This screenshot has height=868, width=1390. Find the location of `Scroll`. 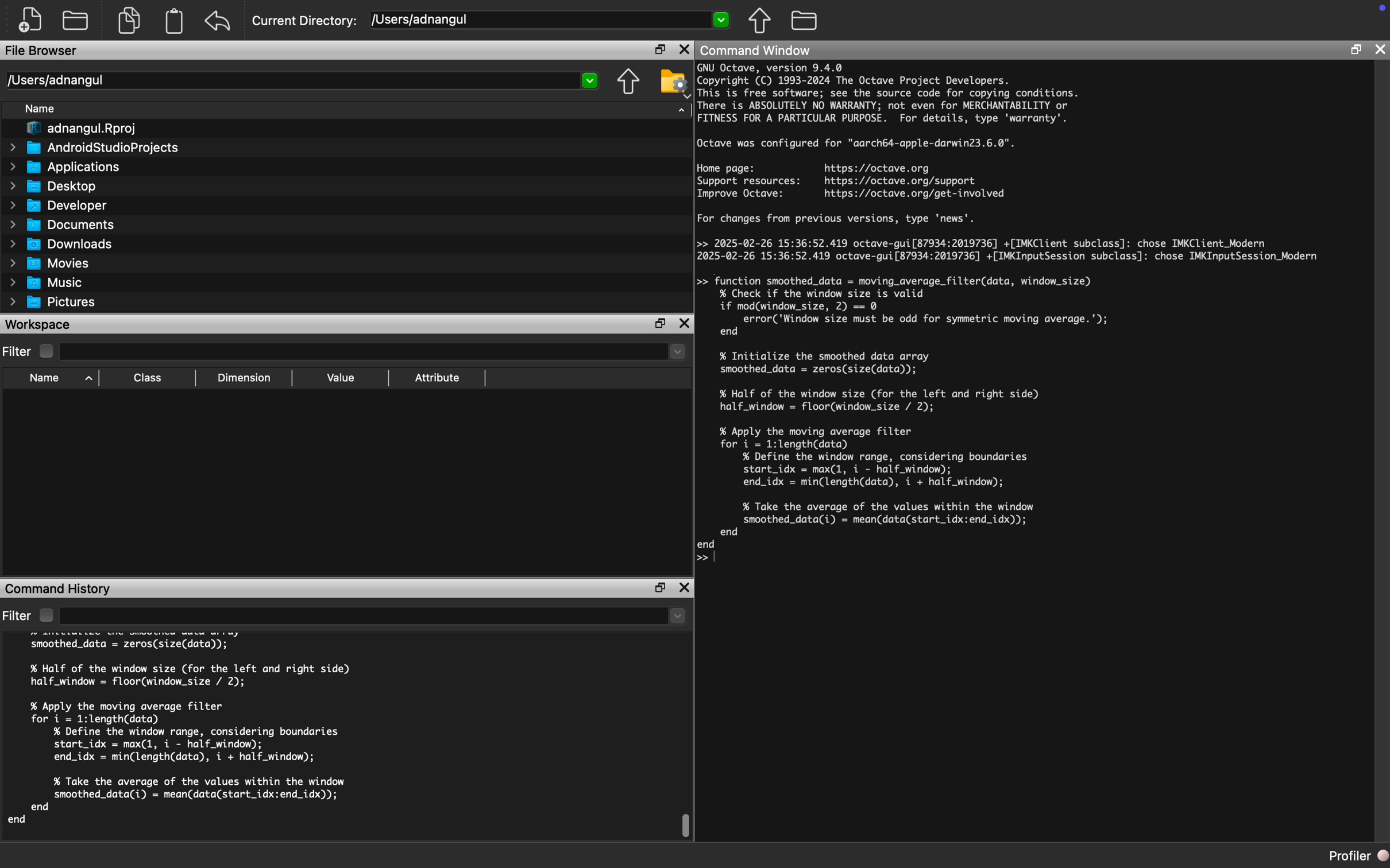

Scroll is located at coordinates (690, 823).